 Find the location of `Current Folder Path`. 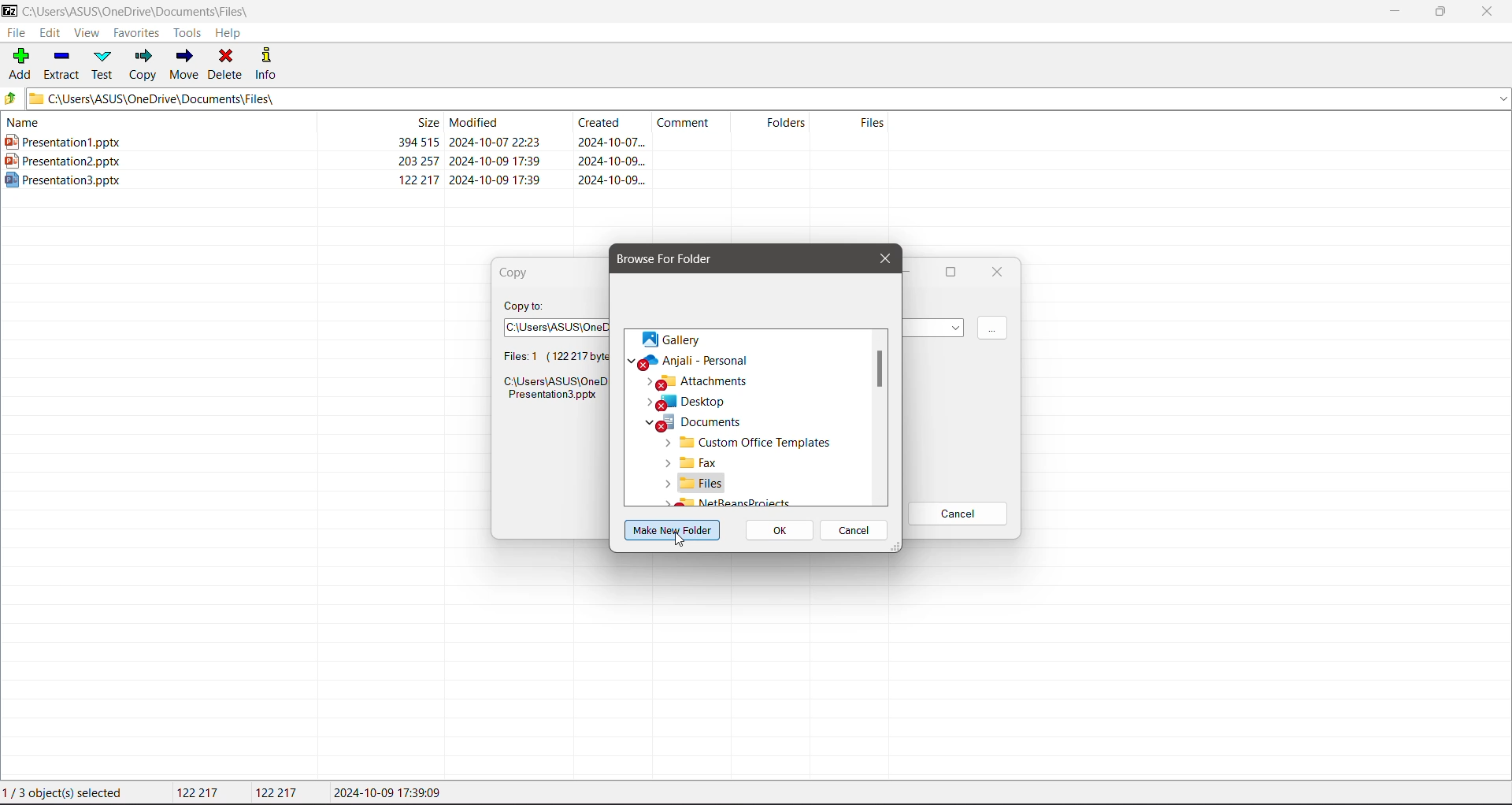

Current Folder Path is located at coordinates (147, 9).